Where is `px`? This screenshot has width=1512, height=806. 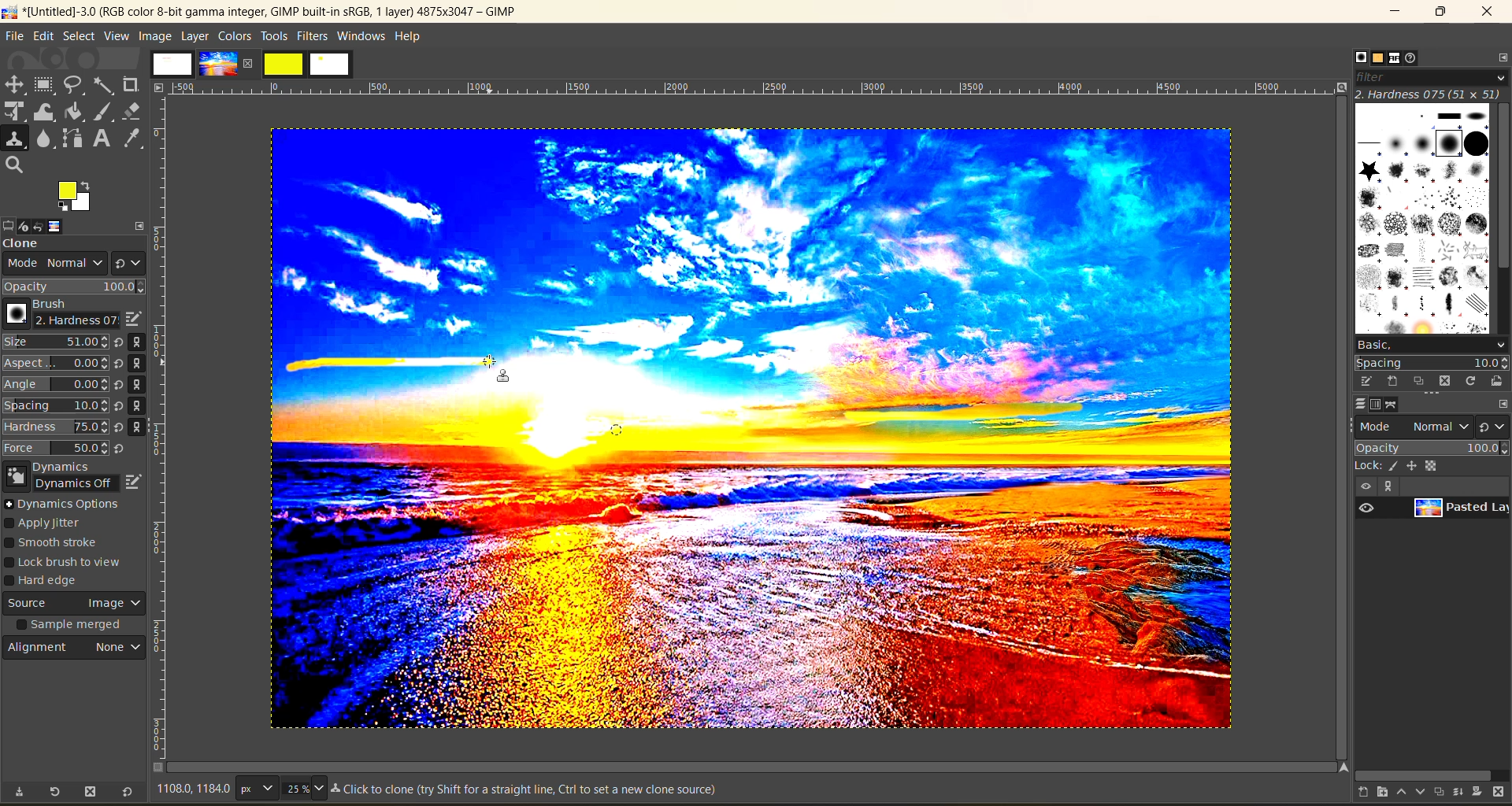
px is located at coordinates (254, 788).